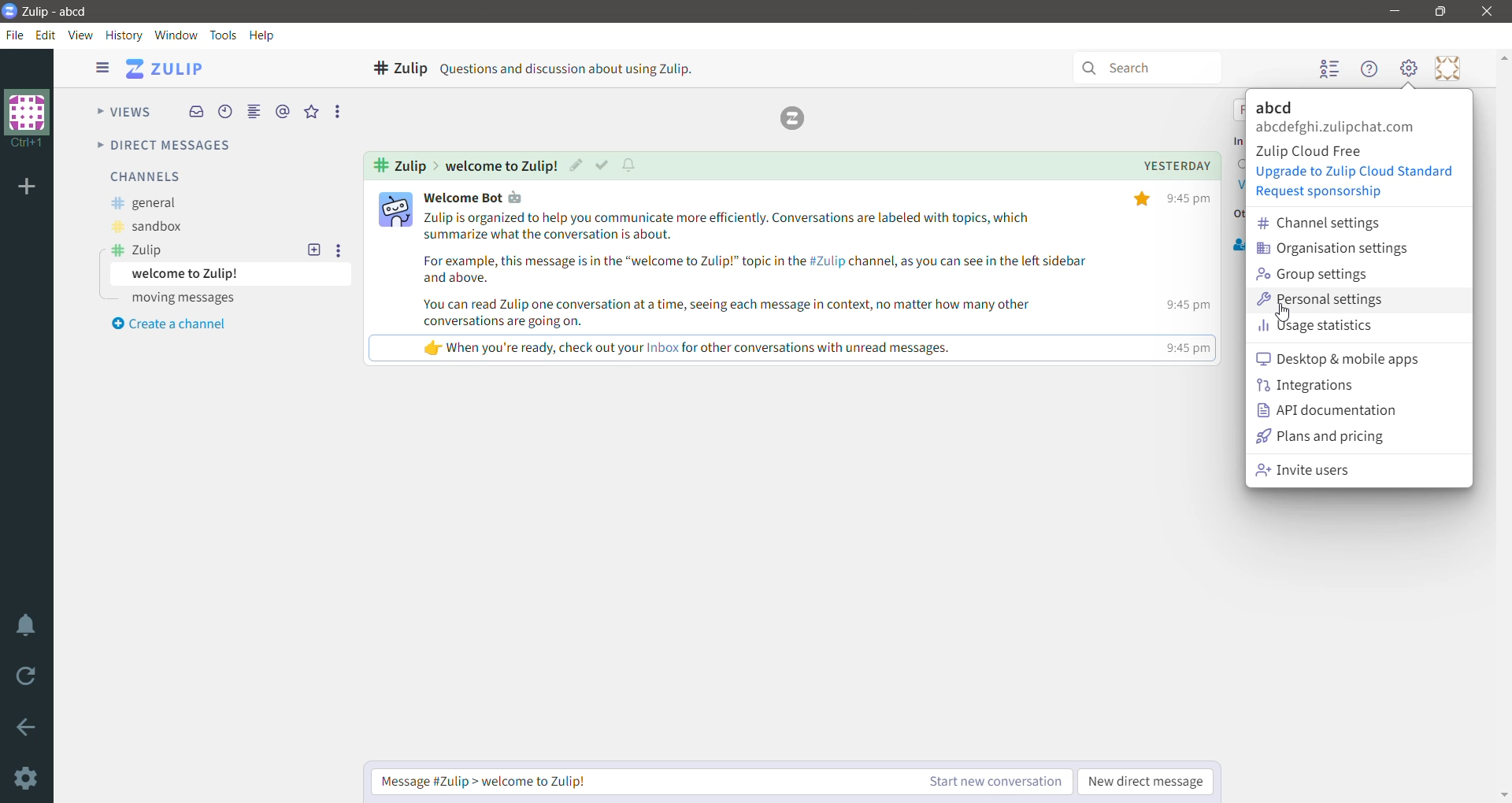 The image size is (1512, 803). What do you see at coordinates (1329, 437) in the screenshot?
I see `Plans and pricing` at bounding box center [1329, 437].